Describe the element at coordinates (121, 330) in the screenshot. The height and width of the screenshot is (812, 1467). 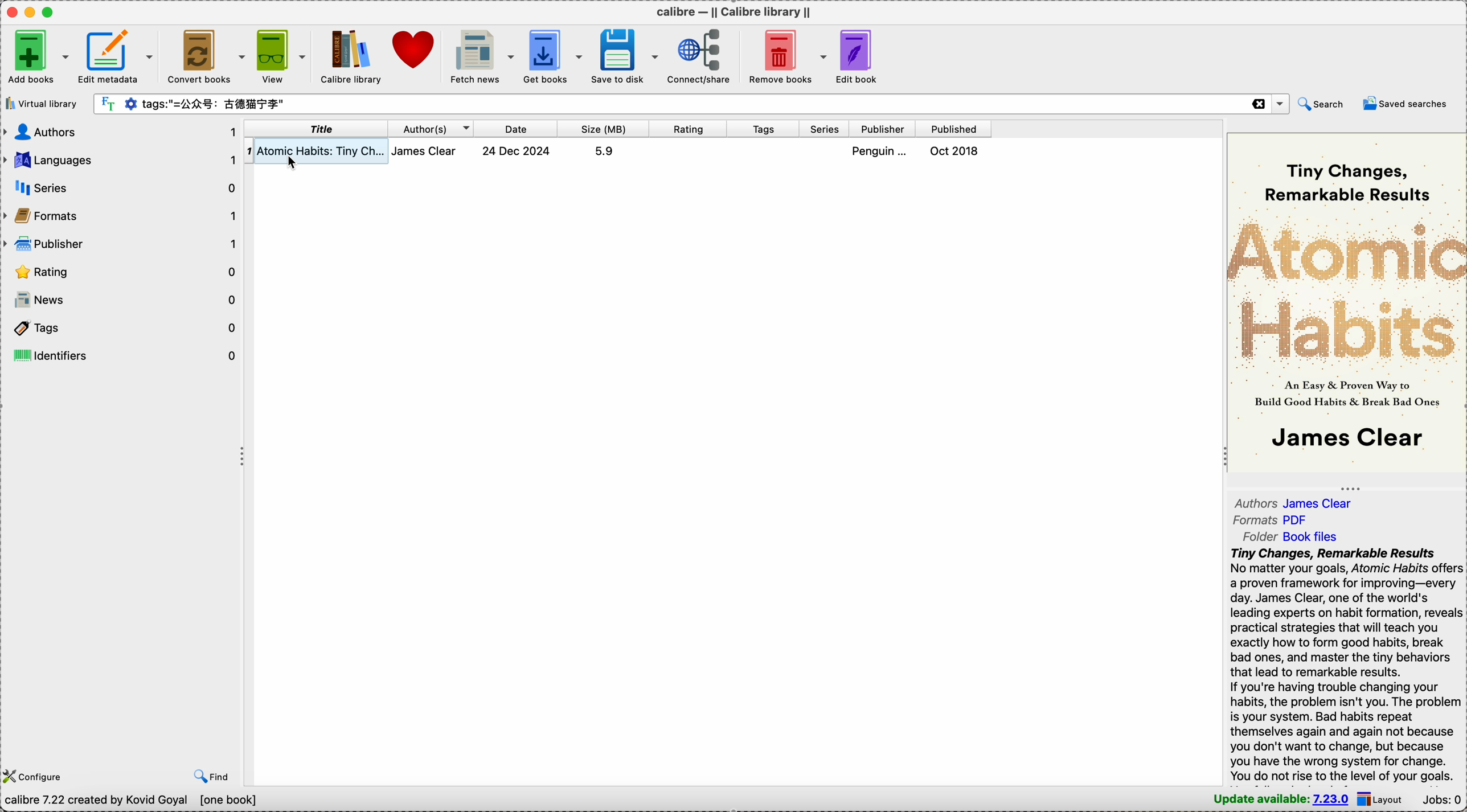
I see `tags` at that location.